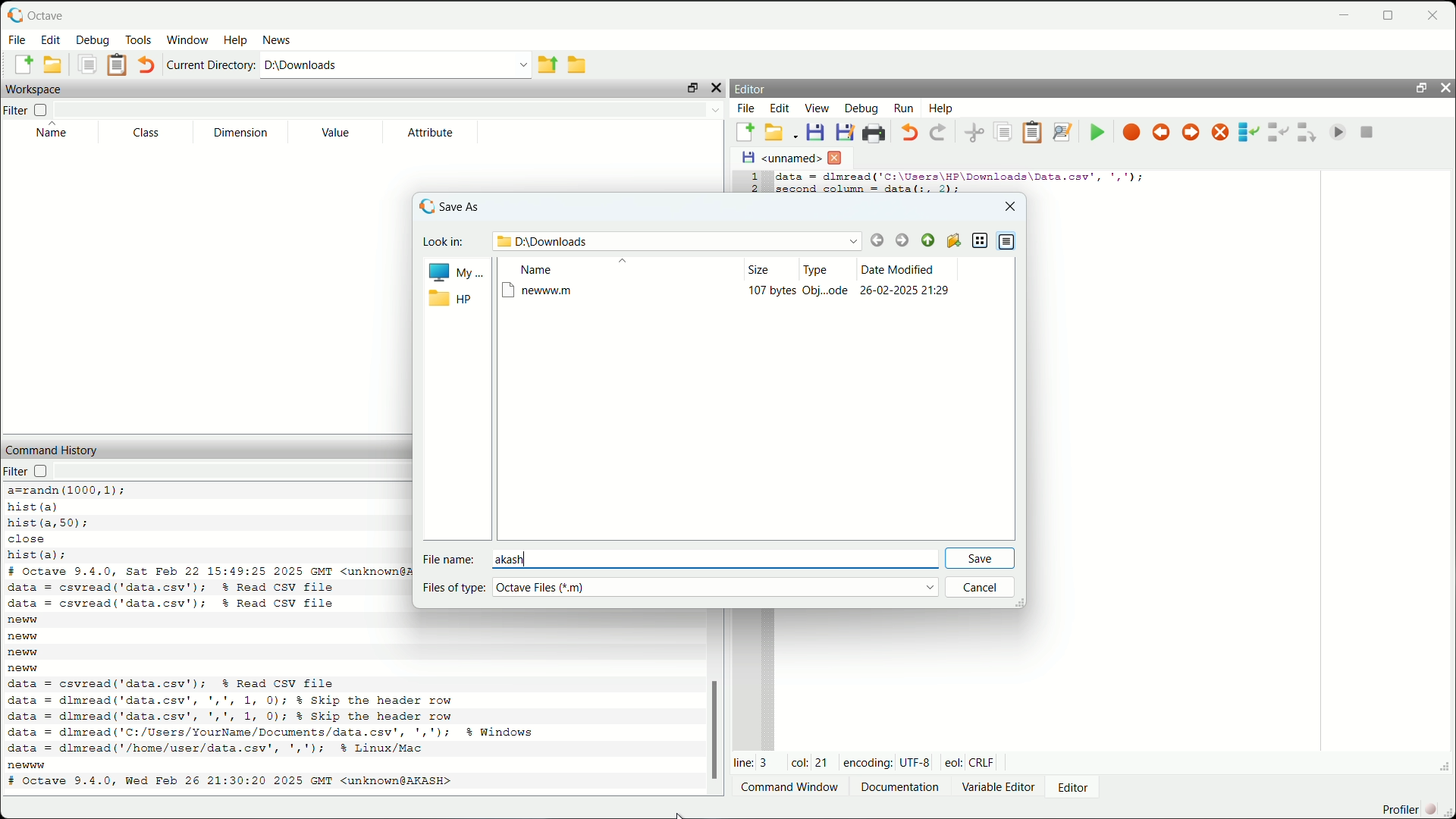 The height and width of the screenshot is (819, 1456). I want to click on create new folder, so click(953, 239).